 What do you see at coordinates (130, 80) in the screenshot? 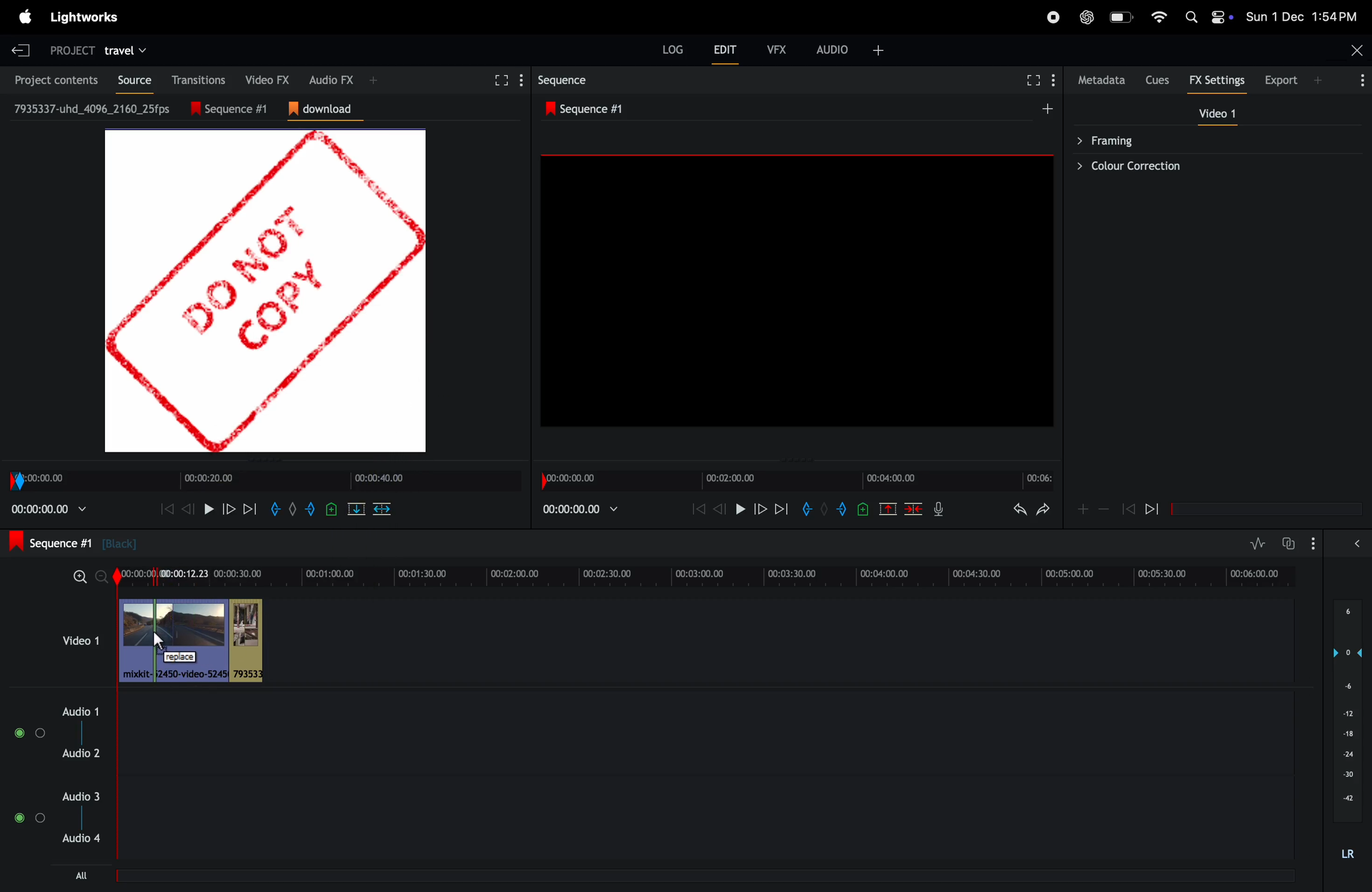
I see `source` at bounding box center [130, 80].